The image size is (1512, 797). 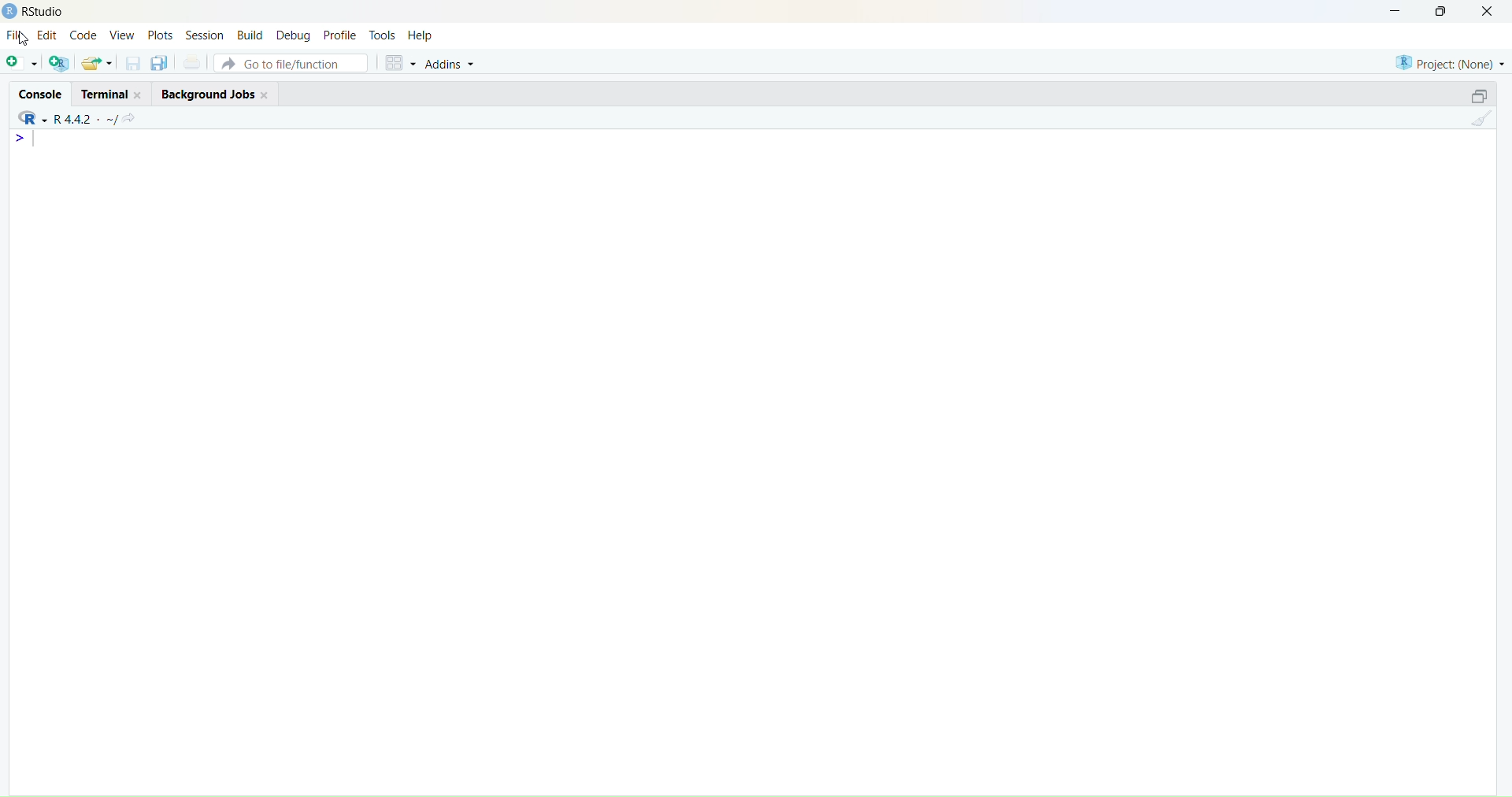 What do you see at coordinates (1480, 94) in the screenshot?
I see `Maximize/Restore` at bounding box center [1480, 94].